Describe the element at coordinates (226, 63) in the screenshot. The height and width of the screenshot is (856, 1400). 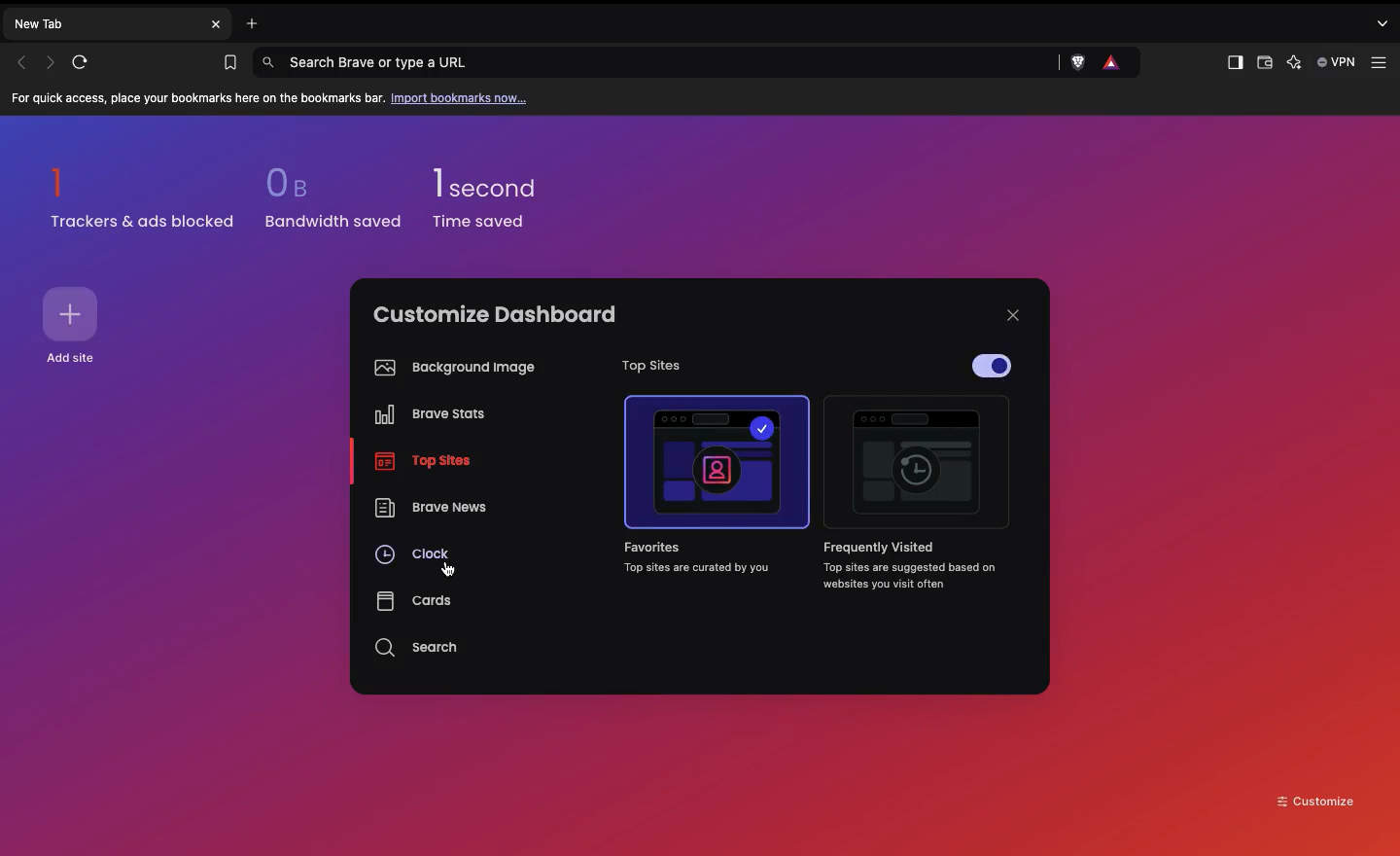
I see `Bookmarks` at that location.